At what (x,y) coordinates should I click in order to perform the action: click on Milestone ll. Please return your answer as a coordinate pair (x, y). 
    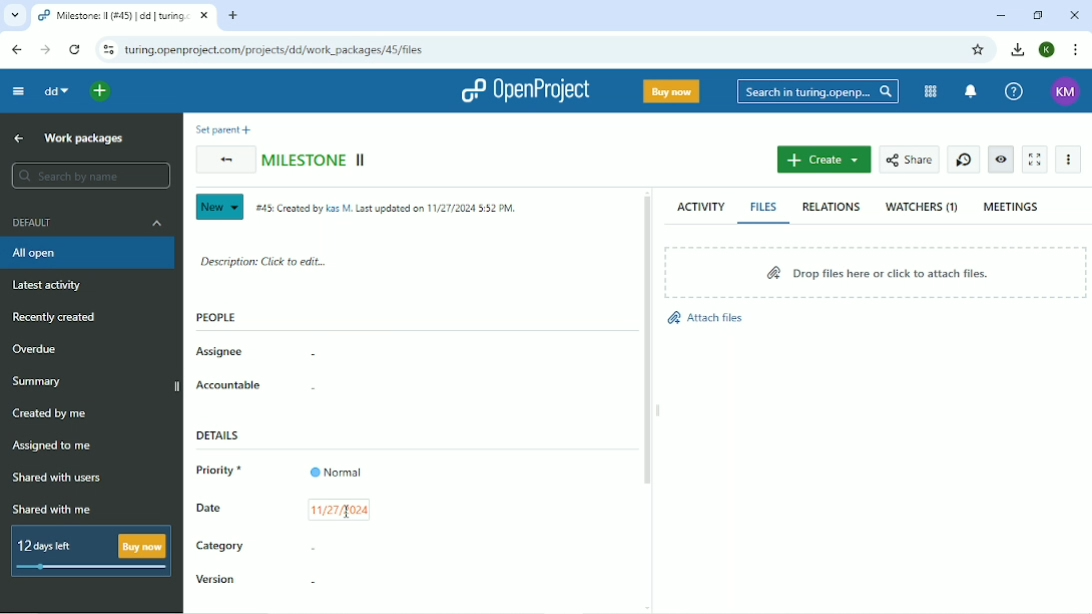
    Looking at the image, I should click on (316, 158).